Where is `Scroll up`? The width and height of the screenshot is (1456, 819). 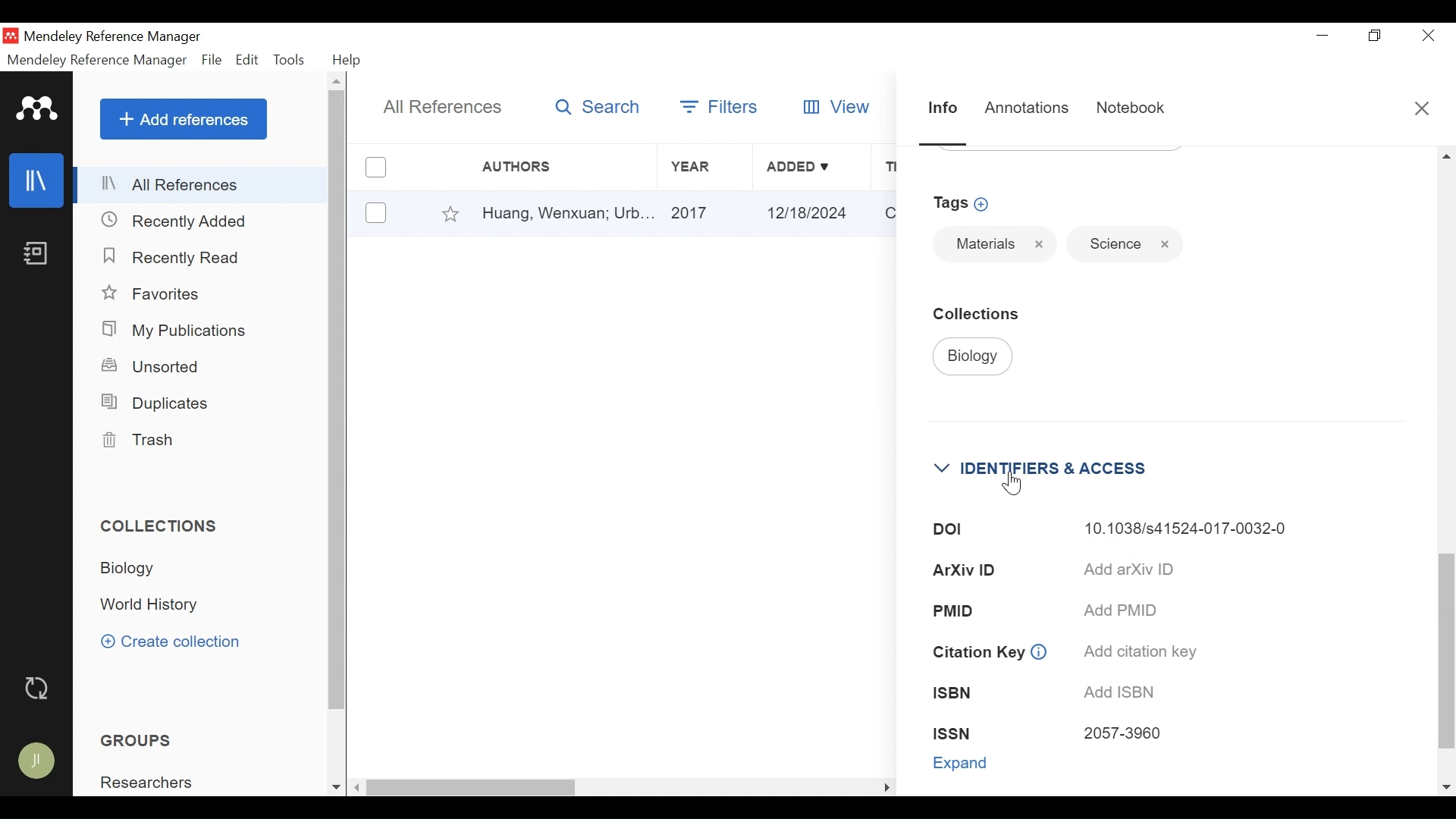 Scroll up is located at coordinates (1446, 155).